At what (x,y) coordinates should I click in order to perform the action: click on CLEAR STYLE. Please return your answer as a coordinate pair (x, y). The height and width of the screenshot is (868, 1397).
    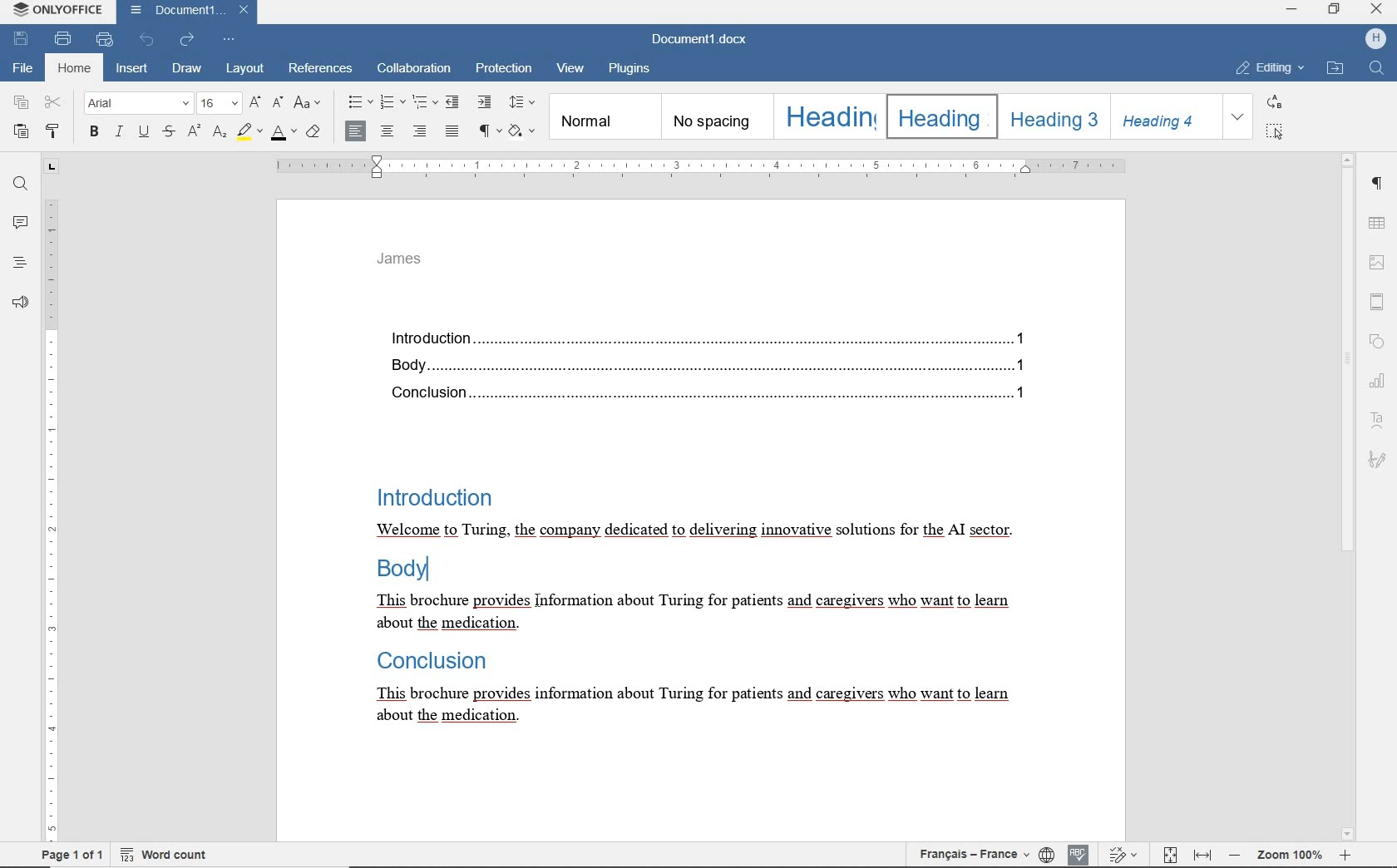
    Looking at the image, I should click on (315, 134).